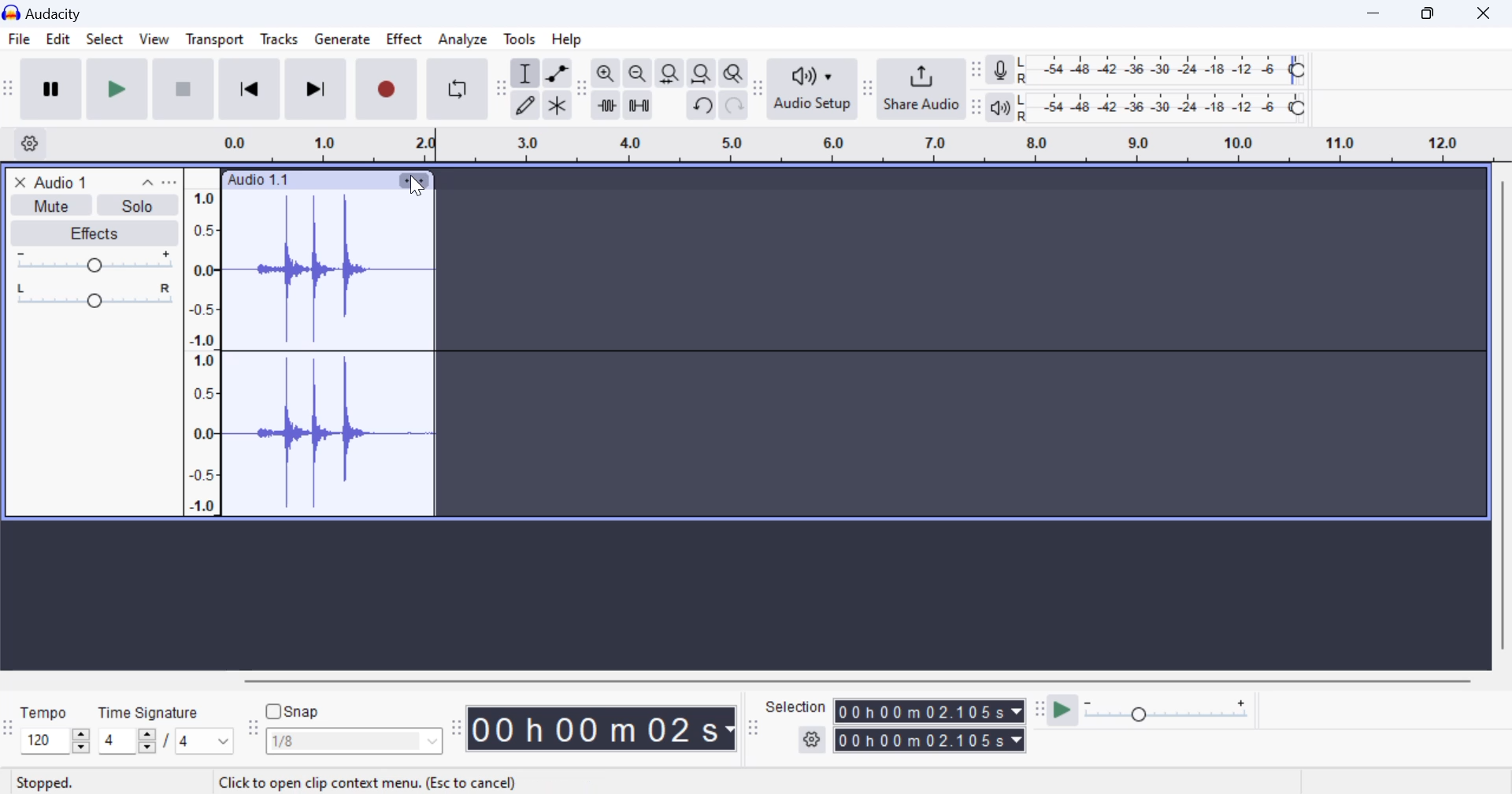 Image resolution: width=1512 pixels, height=794 pixels. Describe the element at coordinates (280, 43) in the screenshot. I see `Tracks` at that location.